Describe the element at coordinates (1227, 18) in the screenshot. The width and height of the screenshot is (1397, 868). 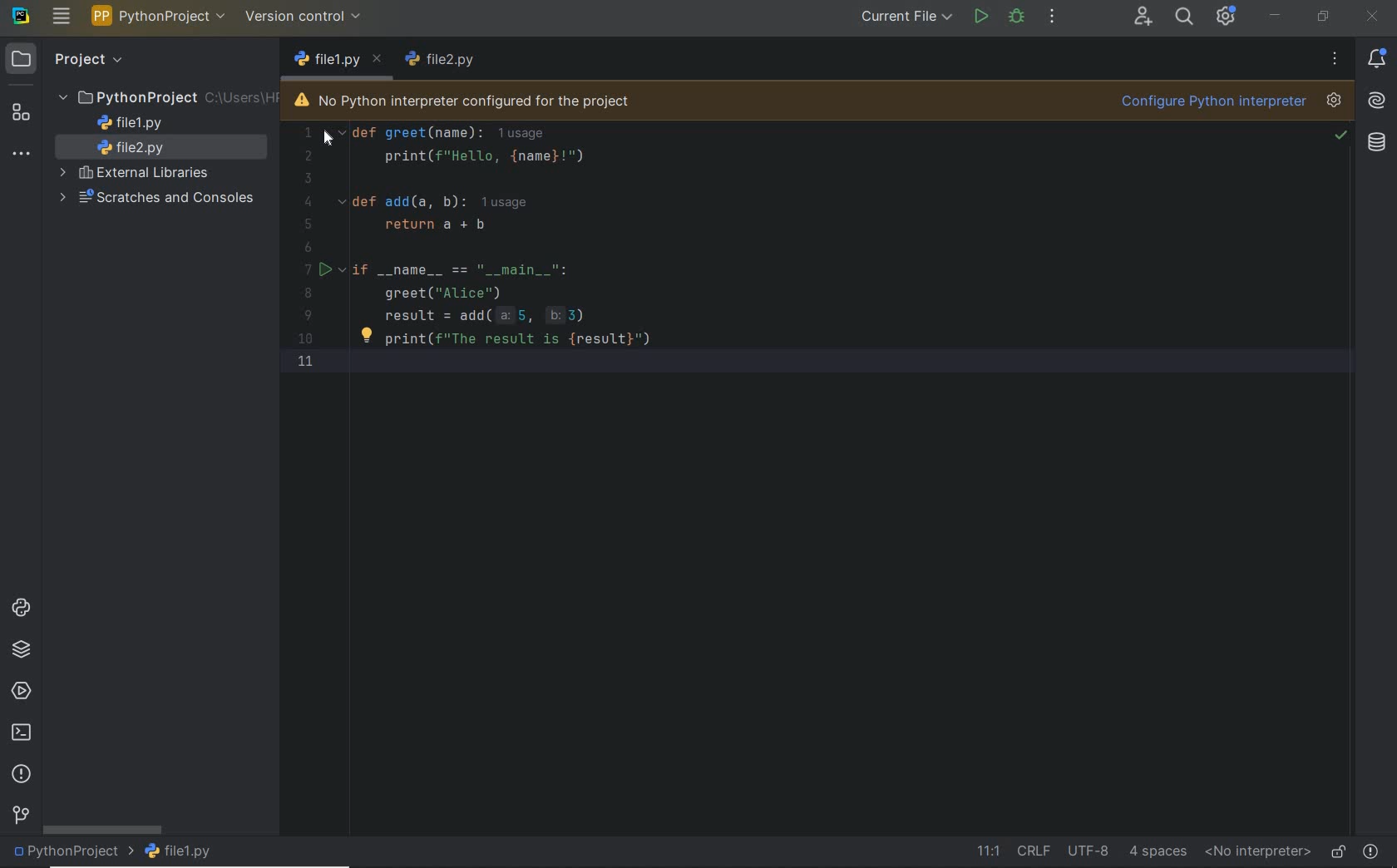
I see `ide and project settings` at that location.